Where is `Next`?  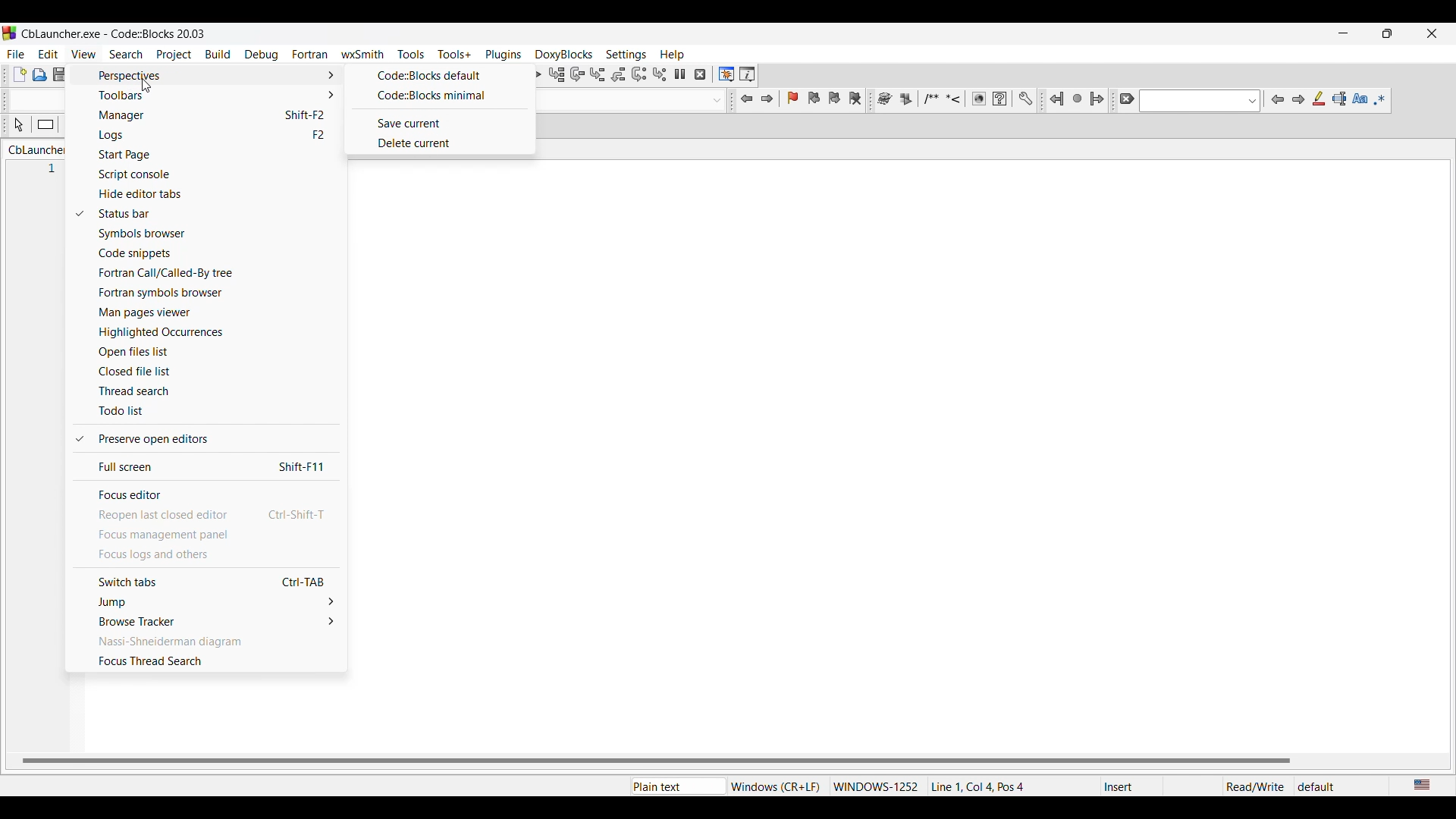 Next is located at coordinates (1298, 99).